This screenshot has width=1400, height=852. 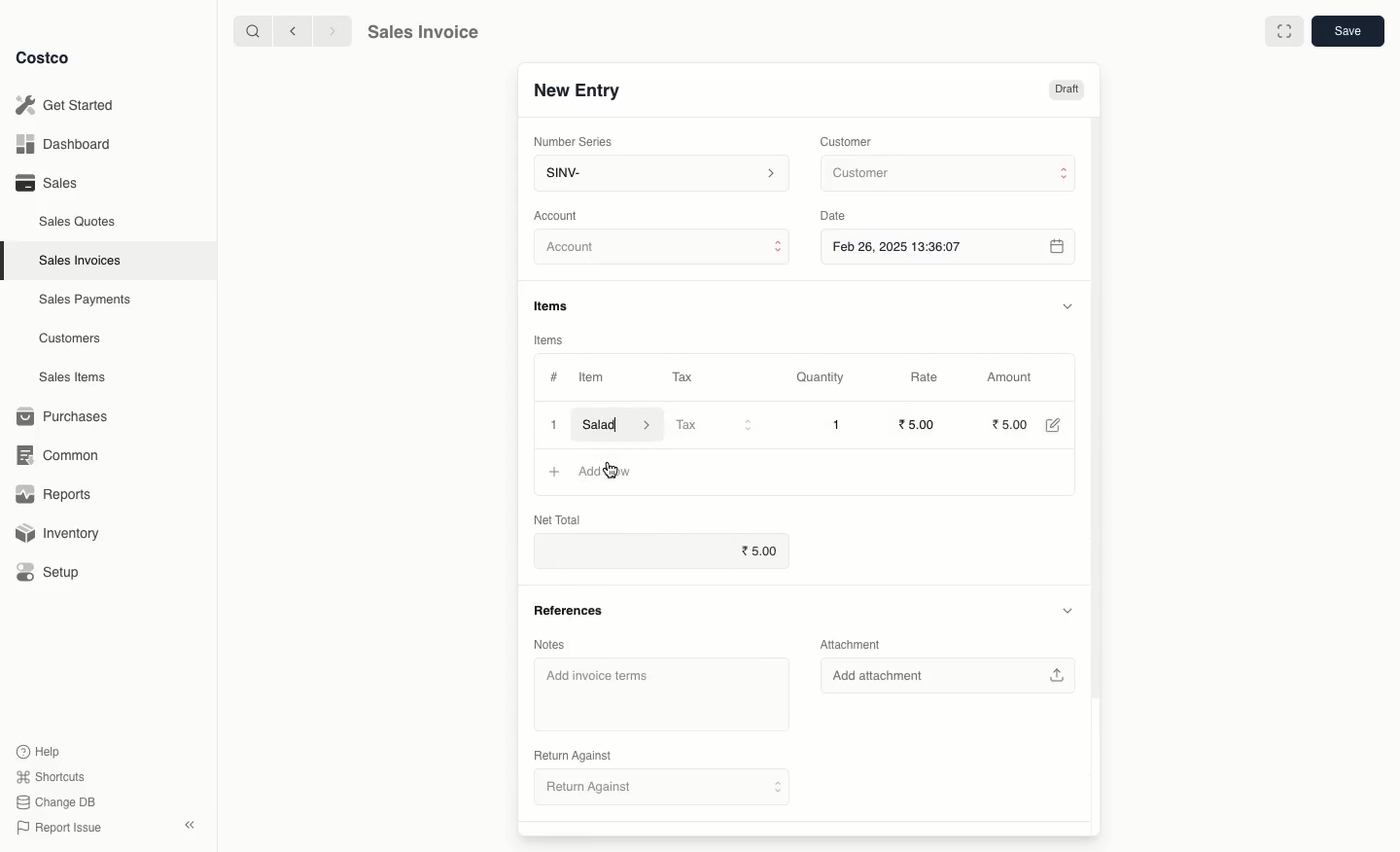 I want to click on Notes, so click(x=547, y=645).